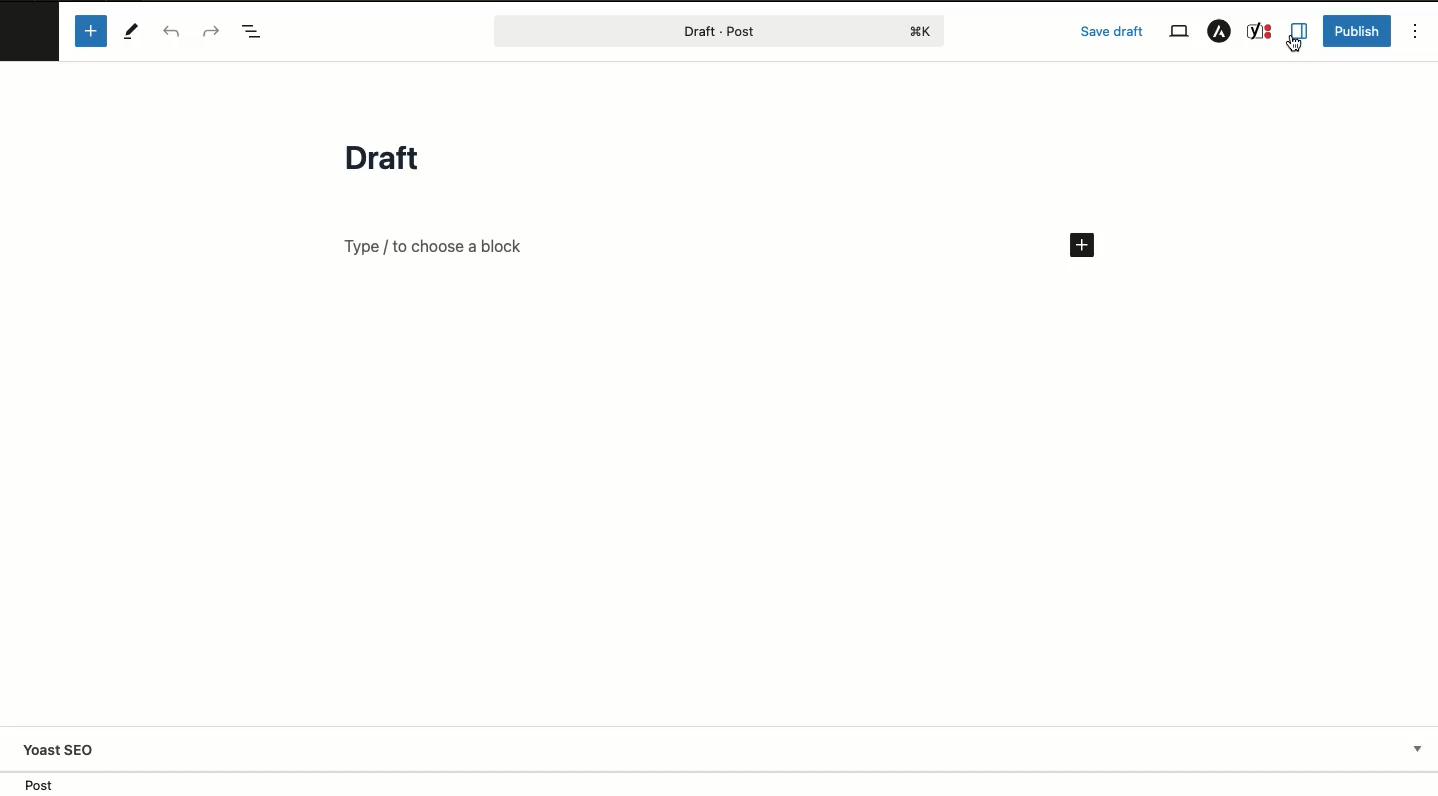 This screenshot has height=796, width=1438. I want to click on Options, so click(1415, 33).